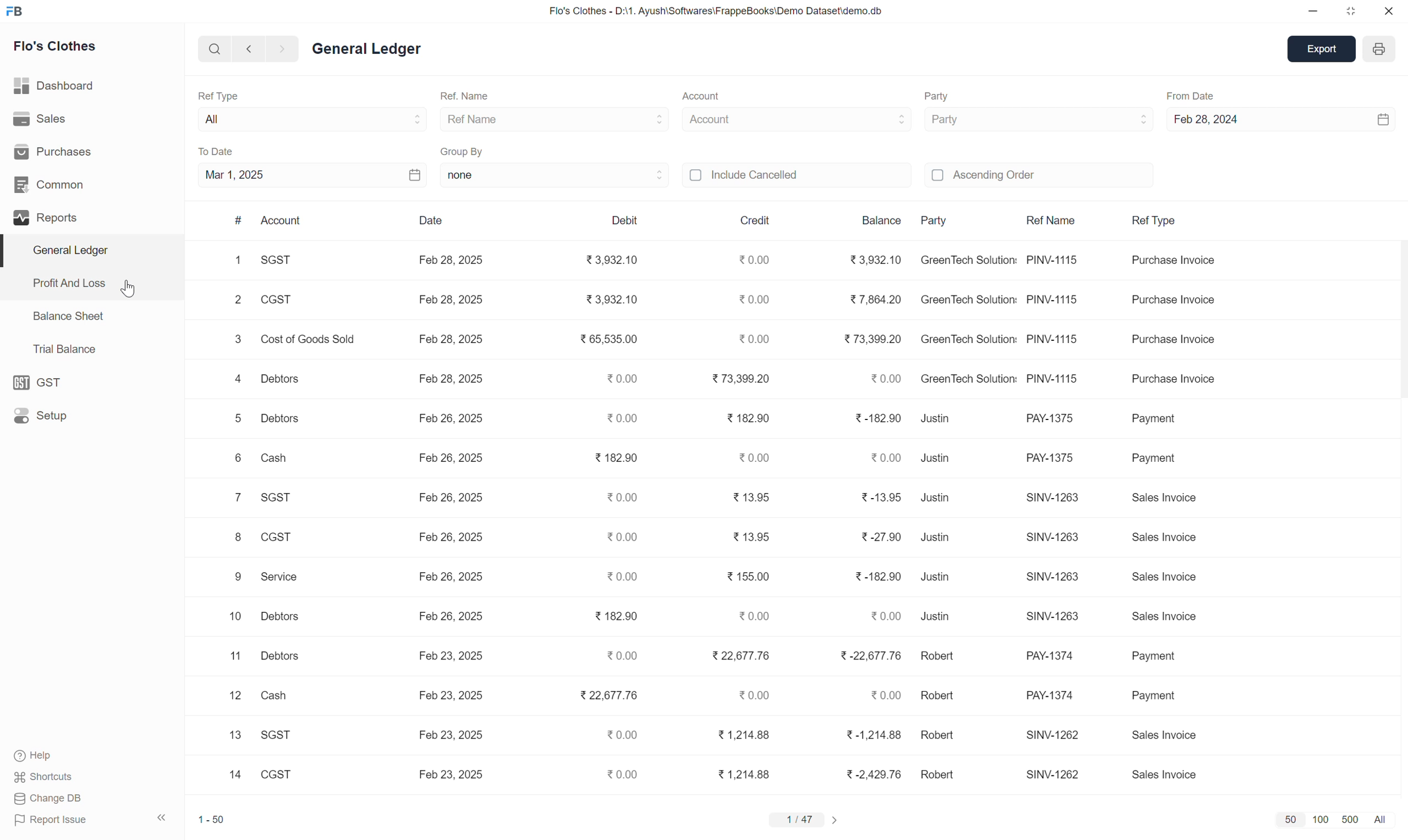 The width and height of the screenshot is (1408, 840). What do you see at coordinates (248, 50) in the screenshot?
I see `back` at bounding box center [248, 50].